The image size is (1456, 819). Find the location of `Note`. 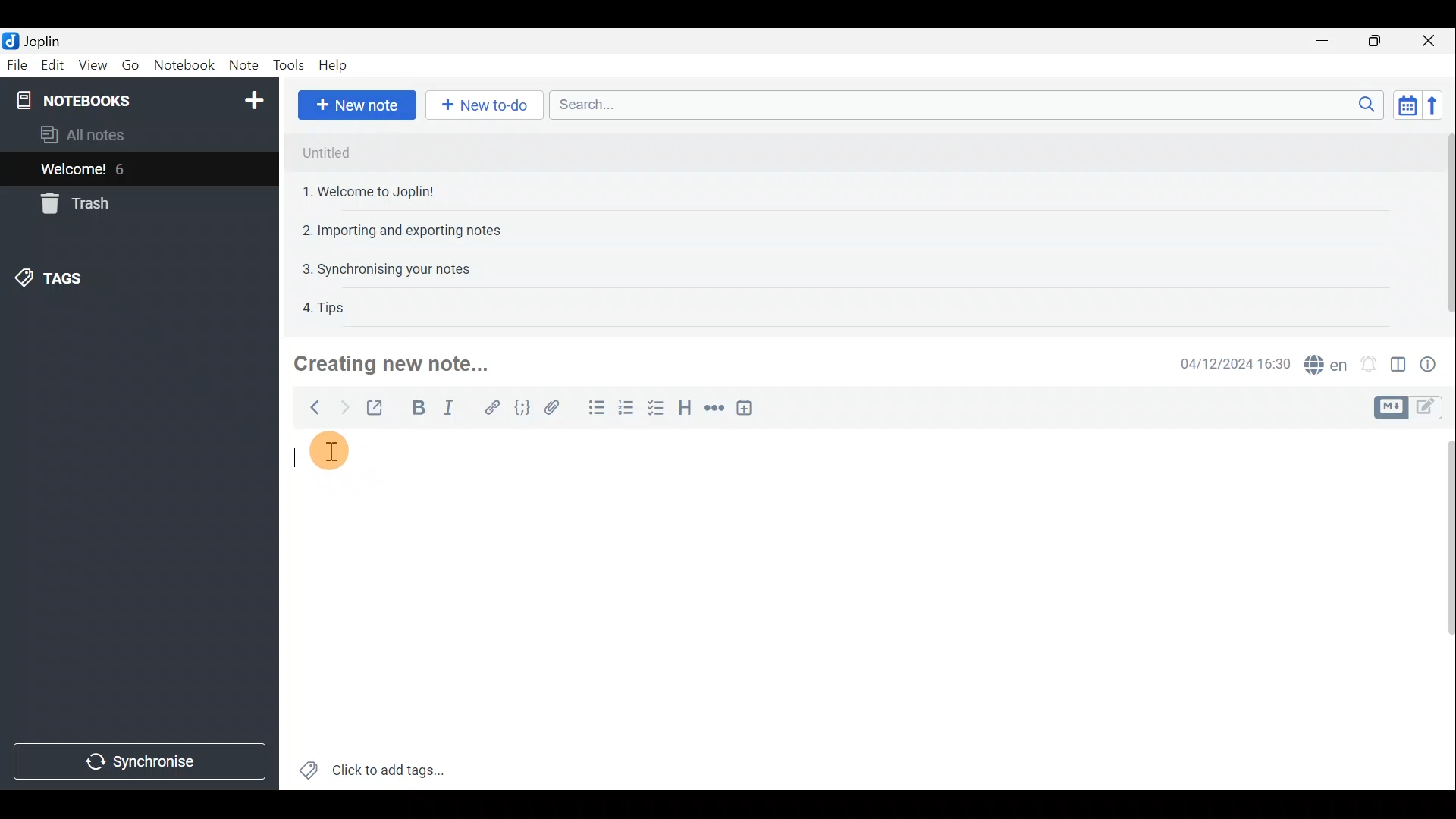

Note is located at coordinates (241, 62).